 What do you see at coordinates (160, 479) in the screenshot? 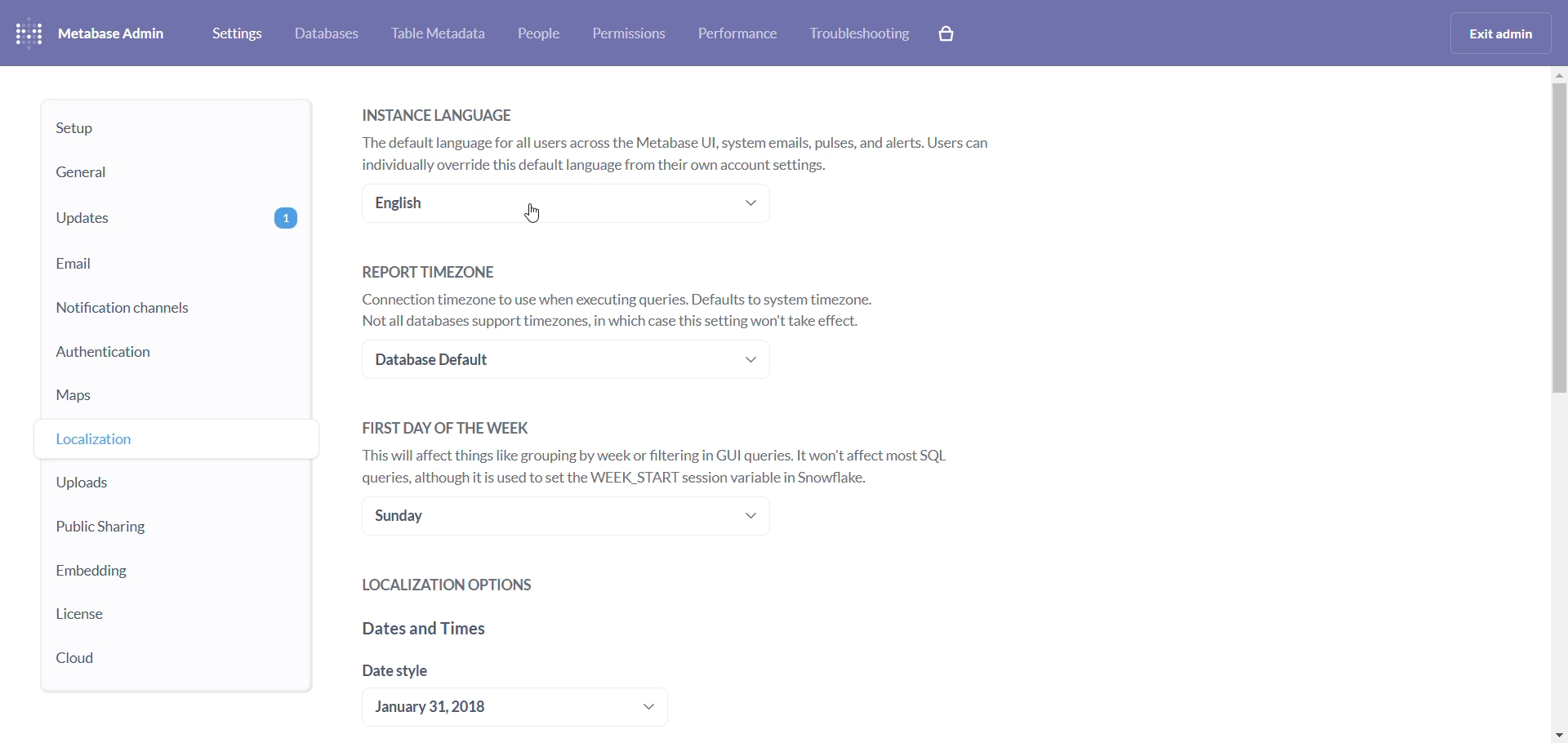
I see `uploads` at bounding box center [160, 479].